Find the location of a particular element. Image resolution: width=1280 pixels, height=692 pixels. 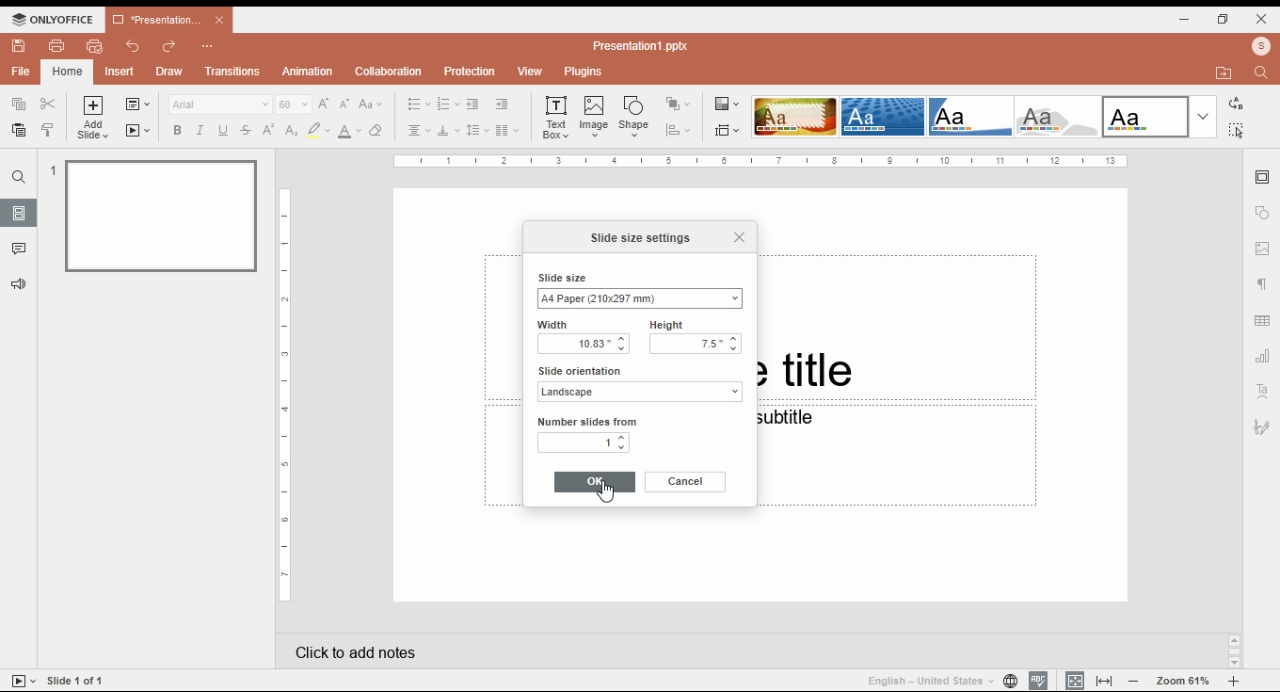

decrement font size is located at coordinates (345, 103).